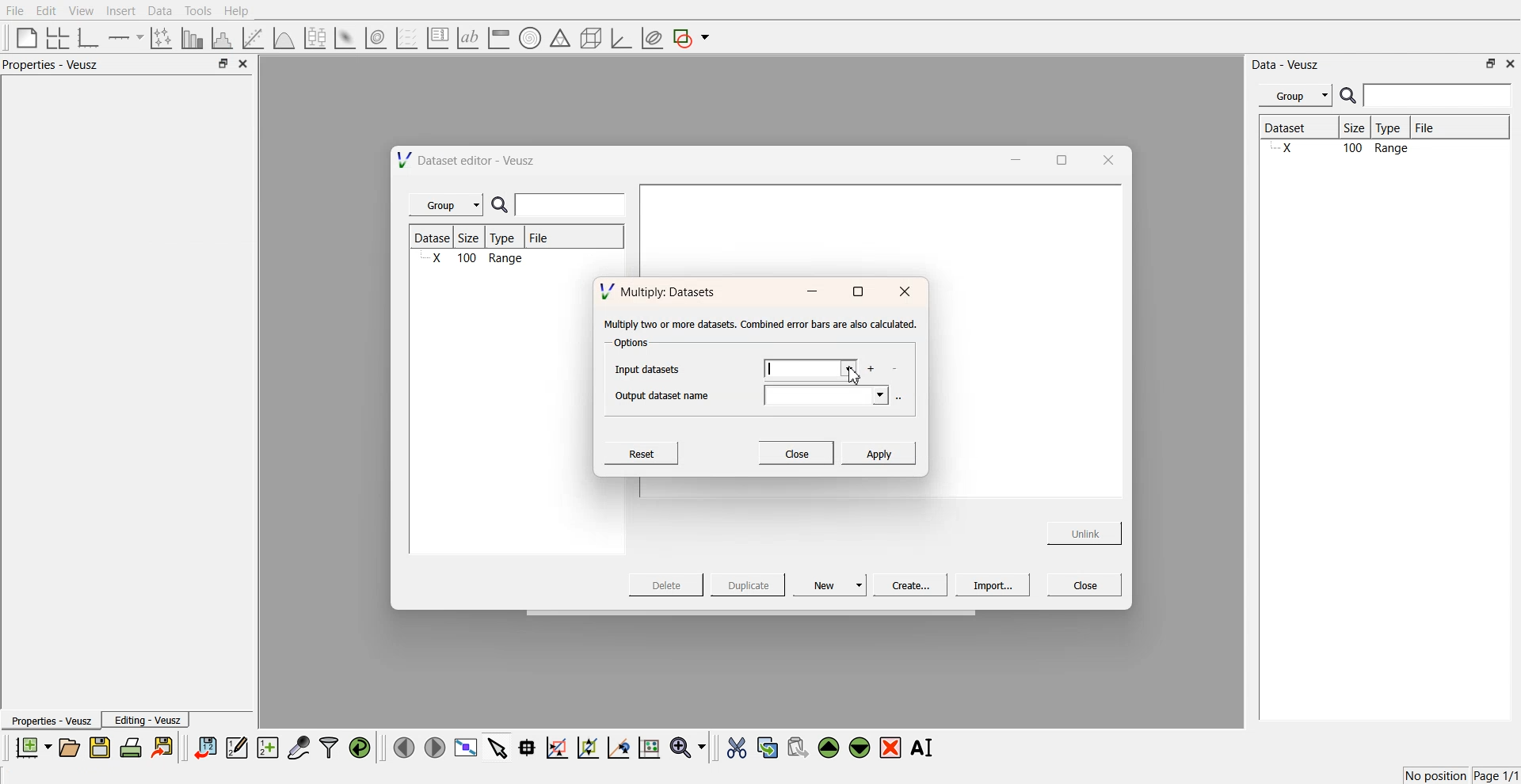  Describe the element at coordinates (651, 368) in the screenshot. I see `Input datasets` at that location.